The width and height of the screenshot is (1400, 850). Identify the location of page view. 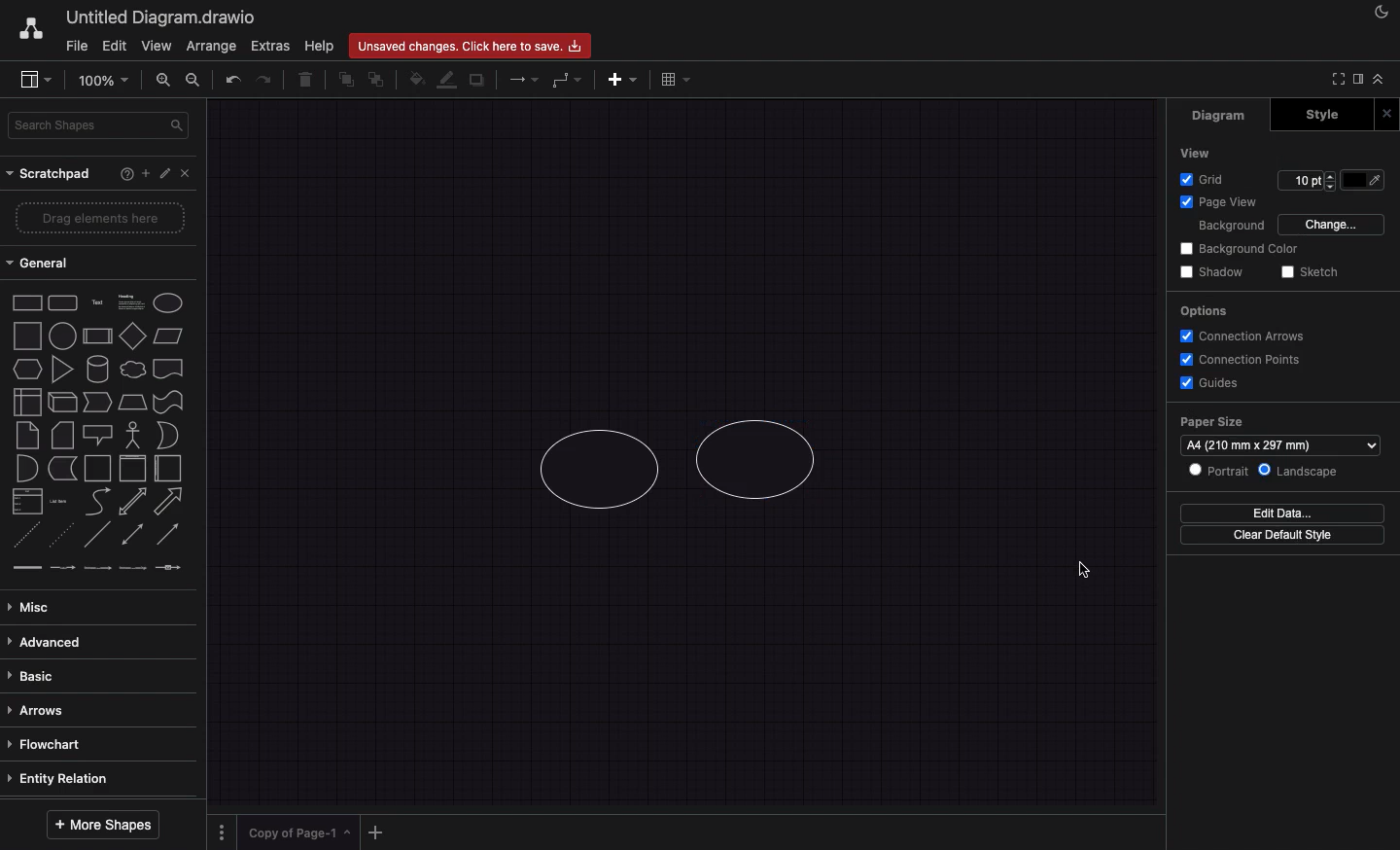
(1226, 202).